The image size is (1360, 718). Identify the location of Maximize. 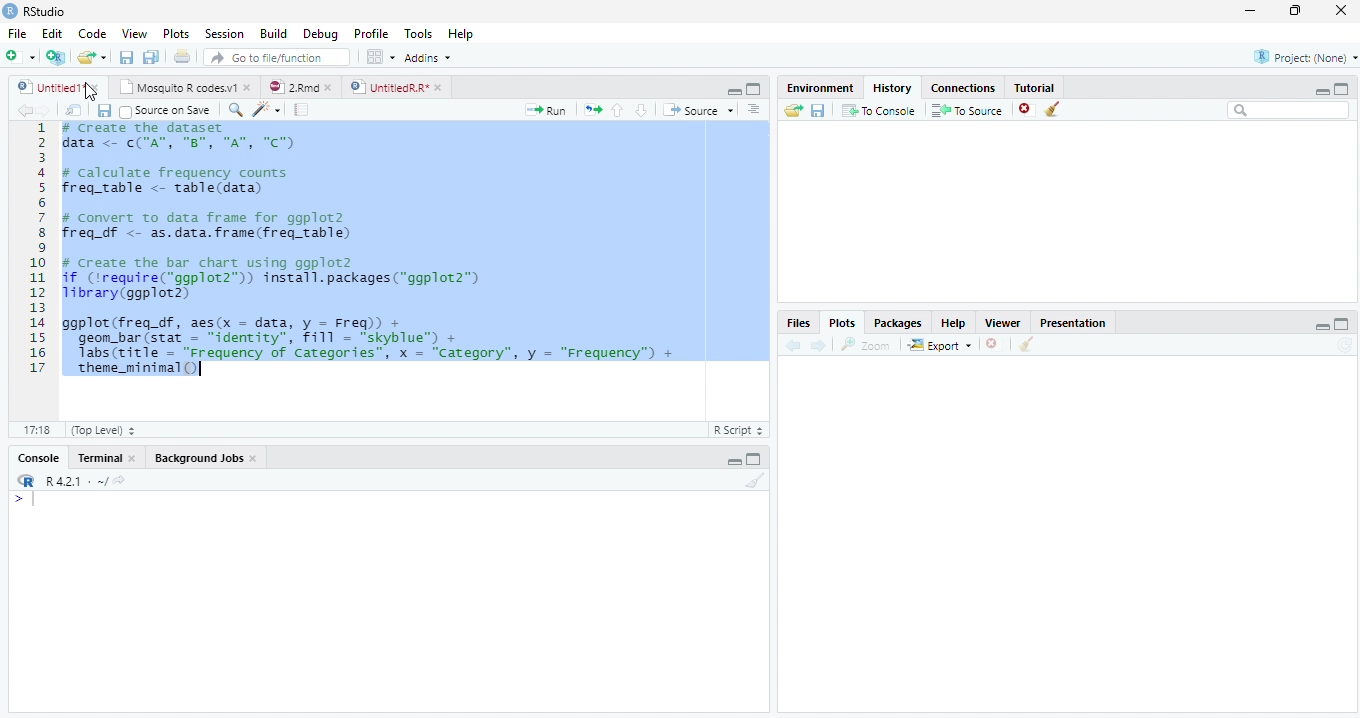
(1297, 13).